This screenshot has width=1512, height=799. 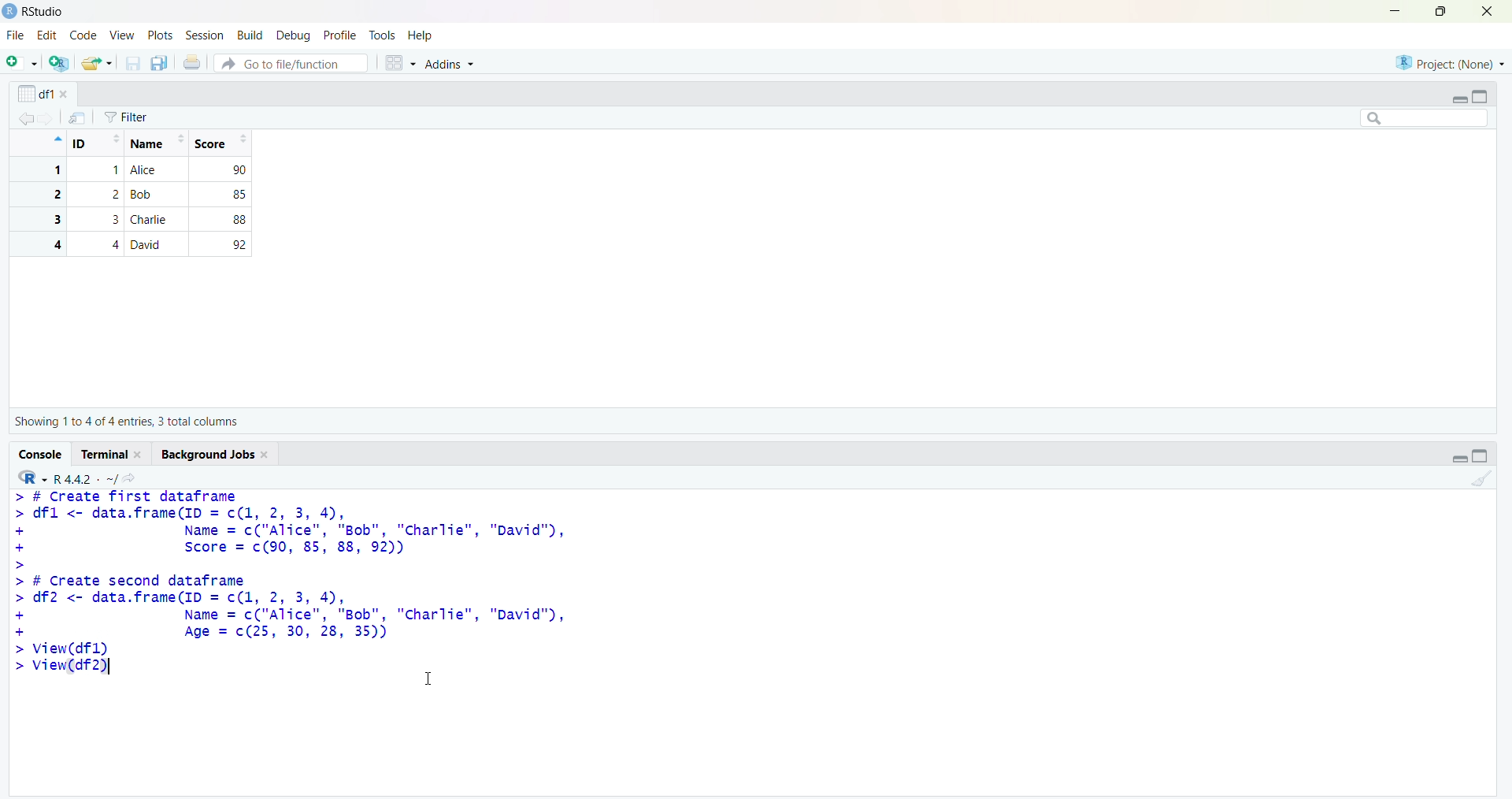 I want to click on maximize, so click(x=1443, y=11).